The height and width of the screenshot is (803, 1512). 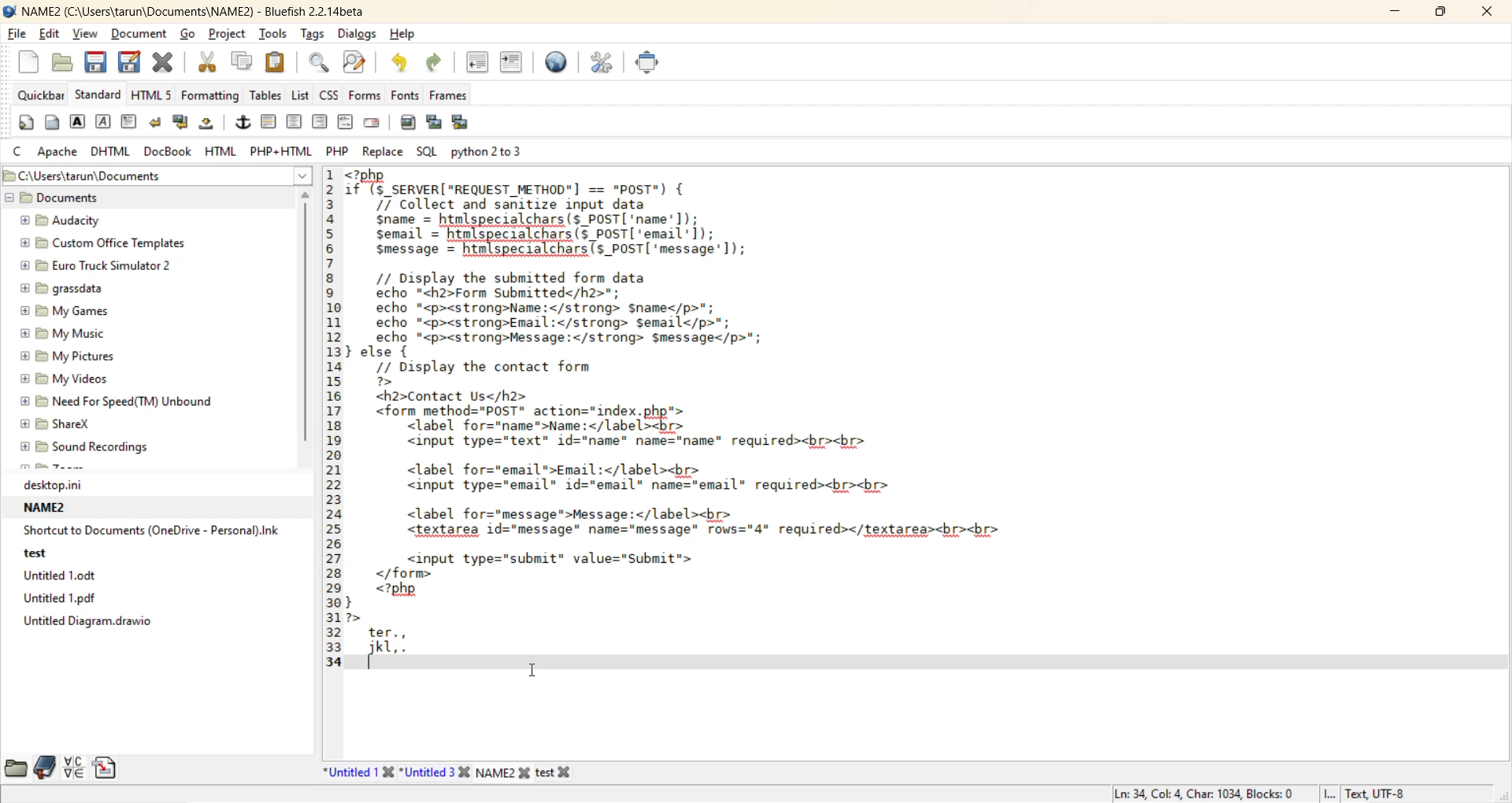 I want to click on file, so click(x=17, y=33).